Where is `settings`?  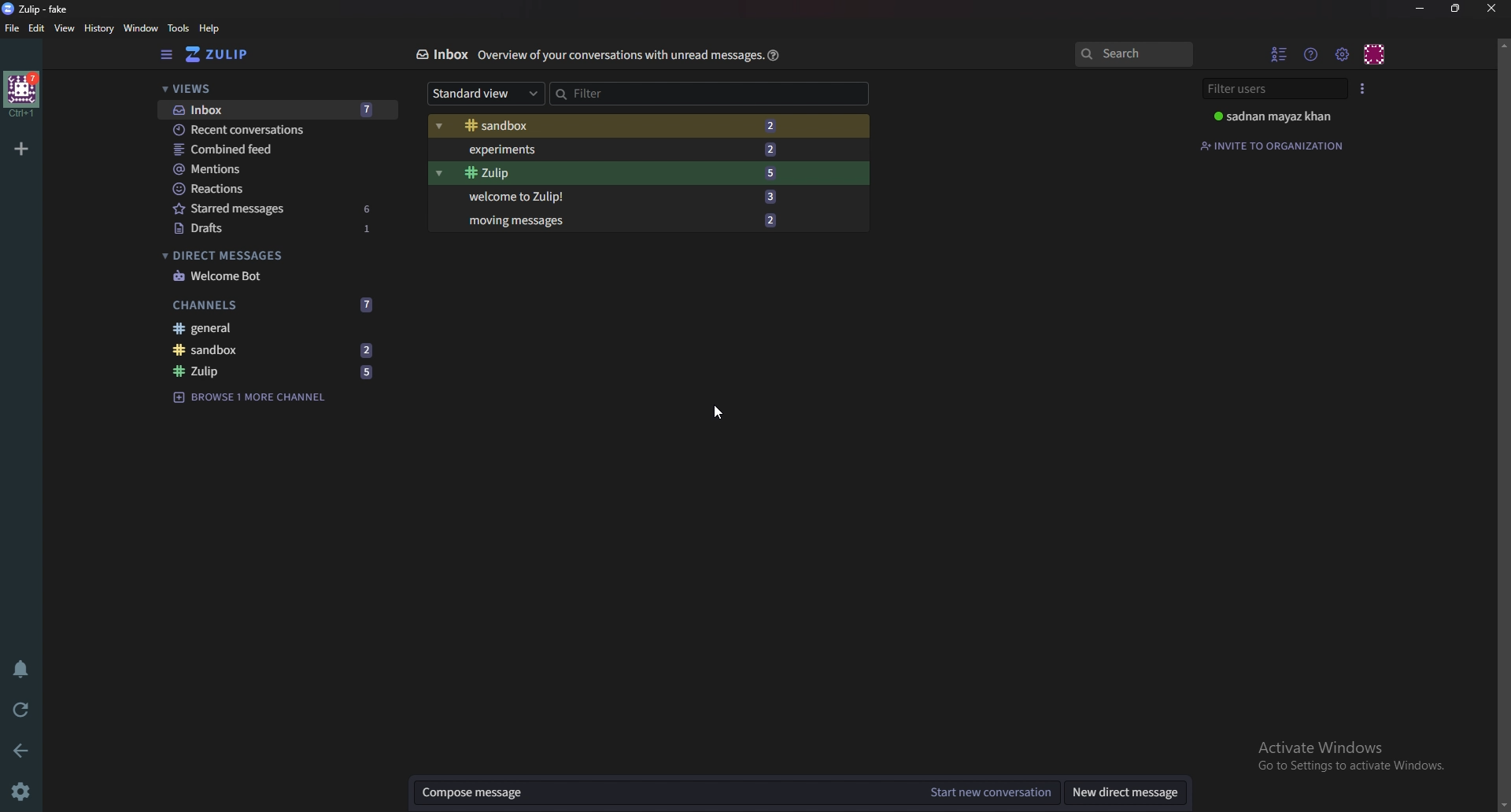 settings is located at coordinates (24, 789).